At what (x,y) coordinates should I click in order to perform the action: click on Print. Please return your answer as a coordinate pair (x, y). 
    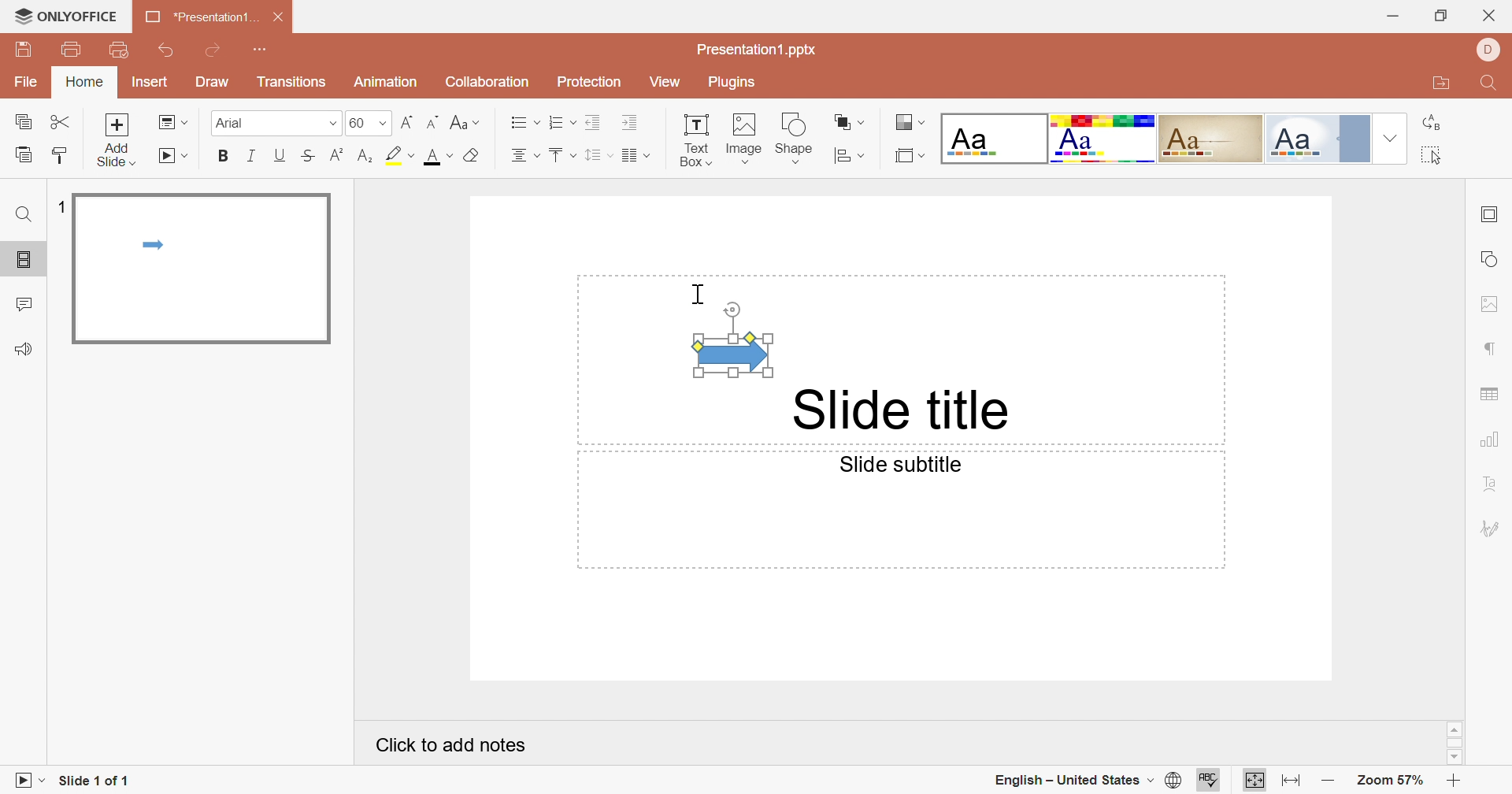
    Looking at the image, I should click on (72, 50).